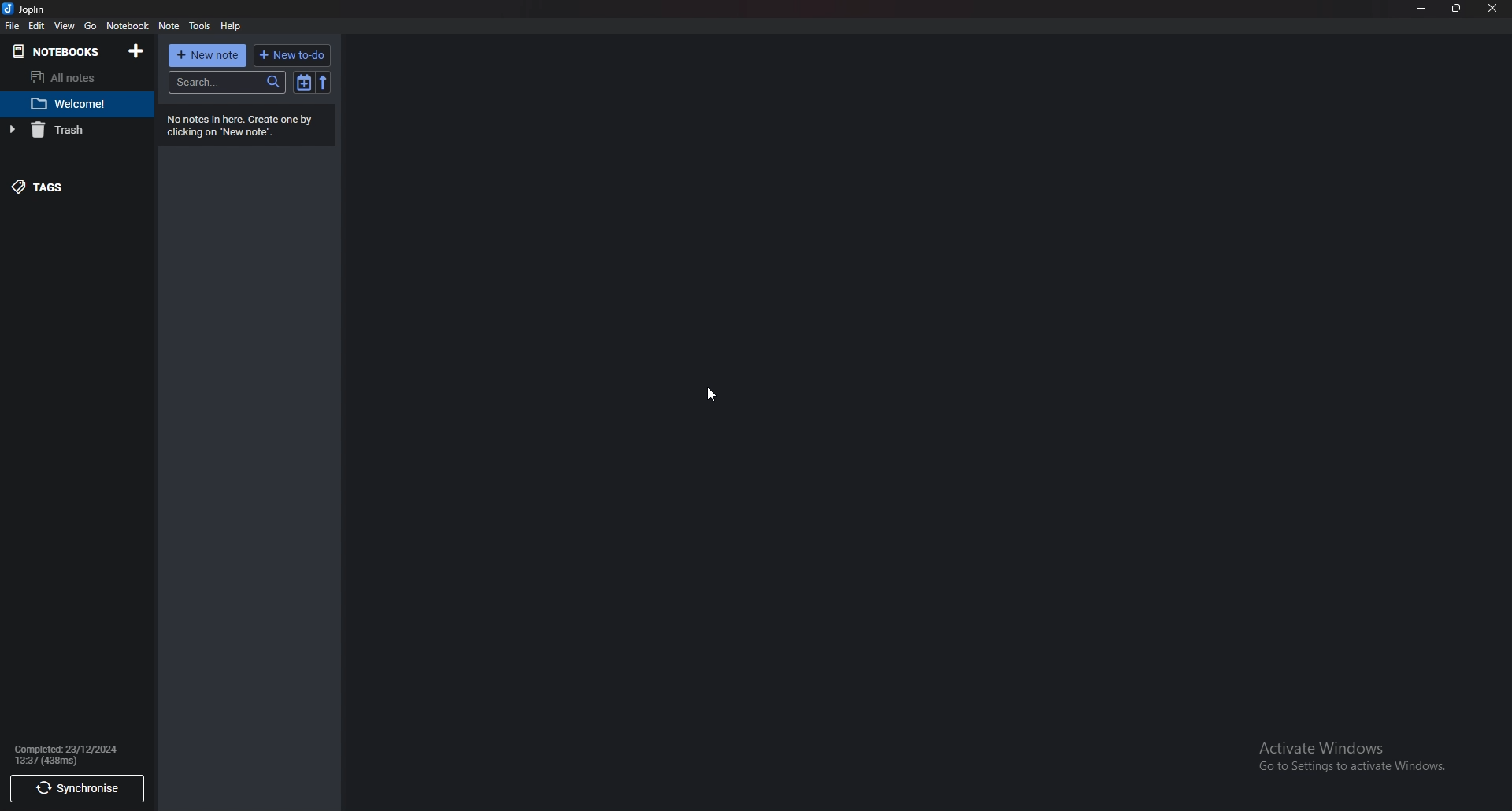 The height and width of the screenshot is (811, 1512). I want to click on Synchronize, so click(77, 790).